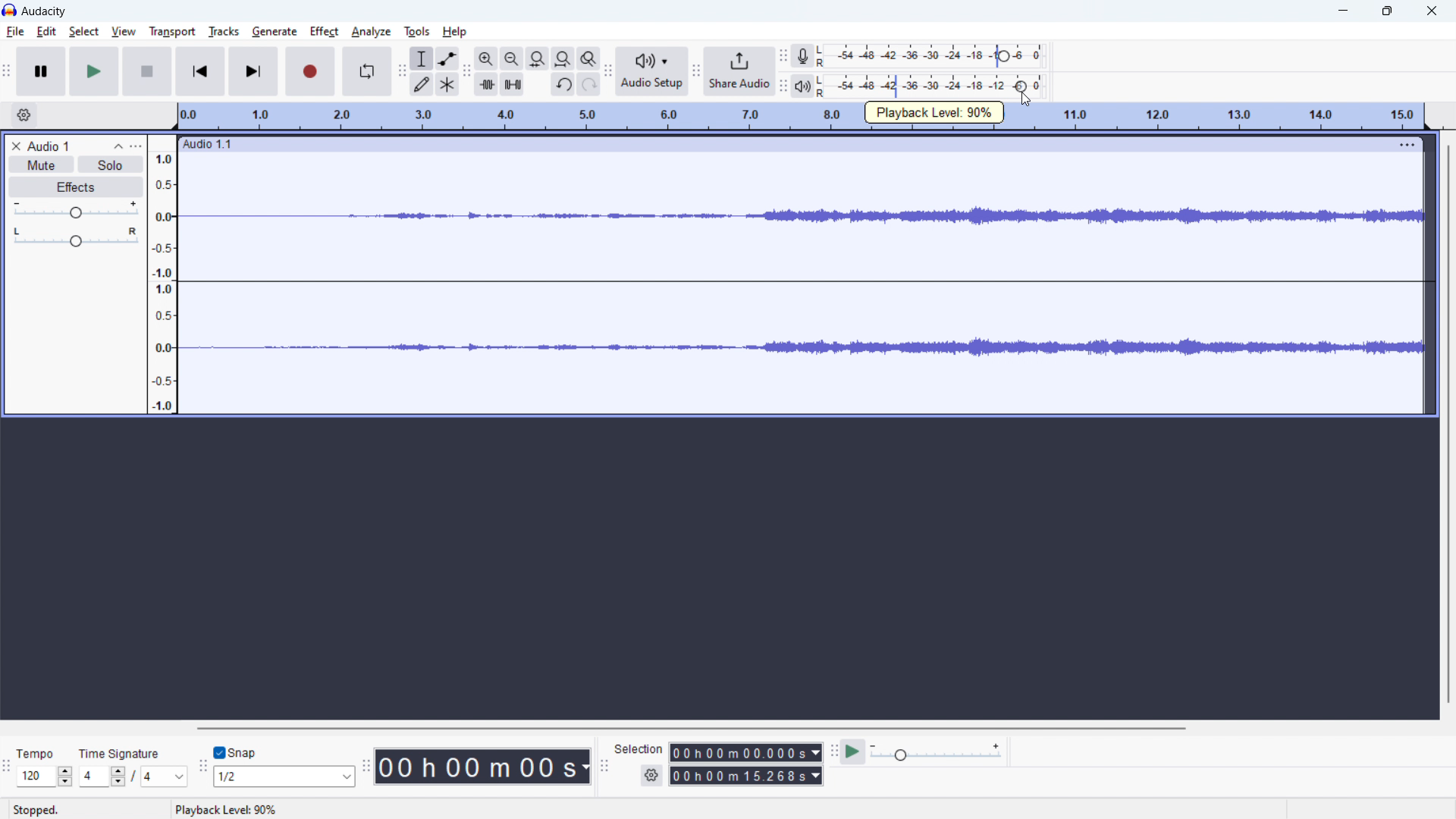  I want to click on delete audio, so click(15, 146).